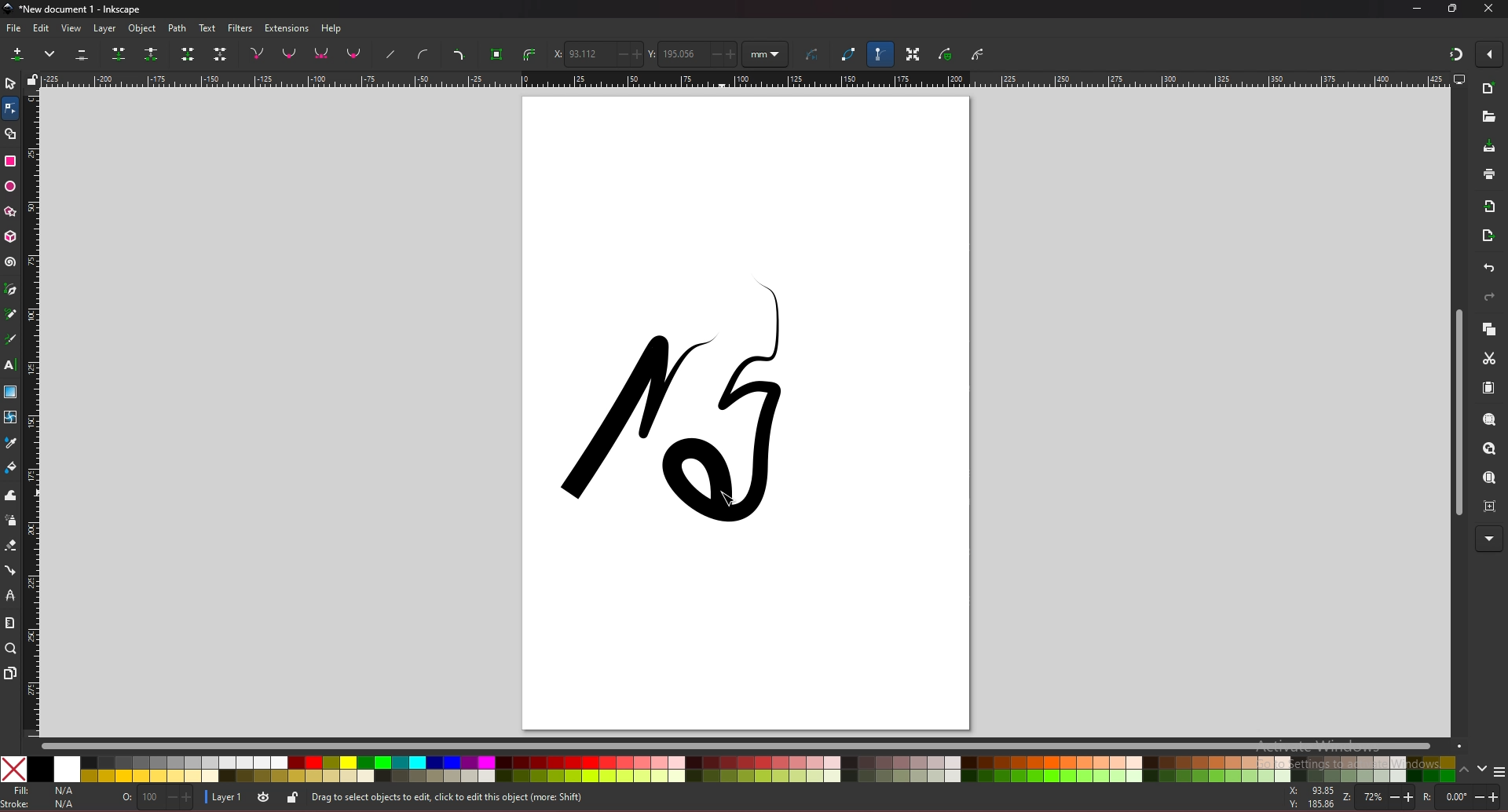  What do you see at coordinates (82, 53) in the screenshot?
I see `delete selected node` at bounding box center [82, 53].